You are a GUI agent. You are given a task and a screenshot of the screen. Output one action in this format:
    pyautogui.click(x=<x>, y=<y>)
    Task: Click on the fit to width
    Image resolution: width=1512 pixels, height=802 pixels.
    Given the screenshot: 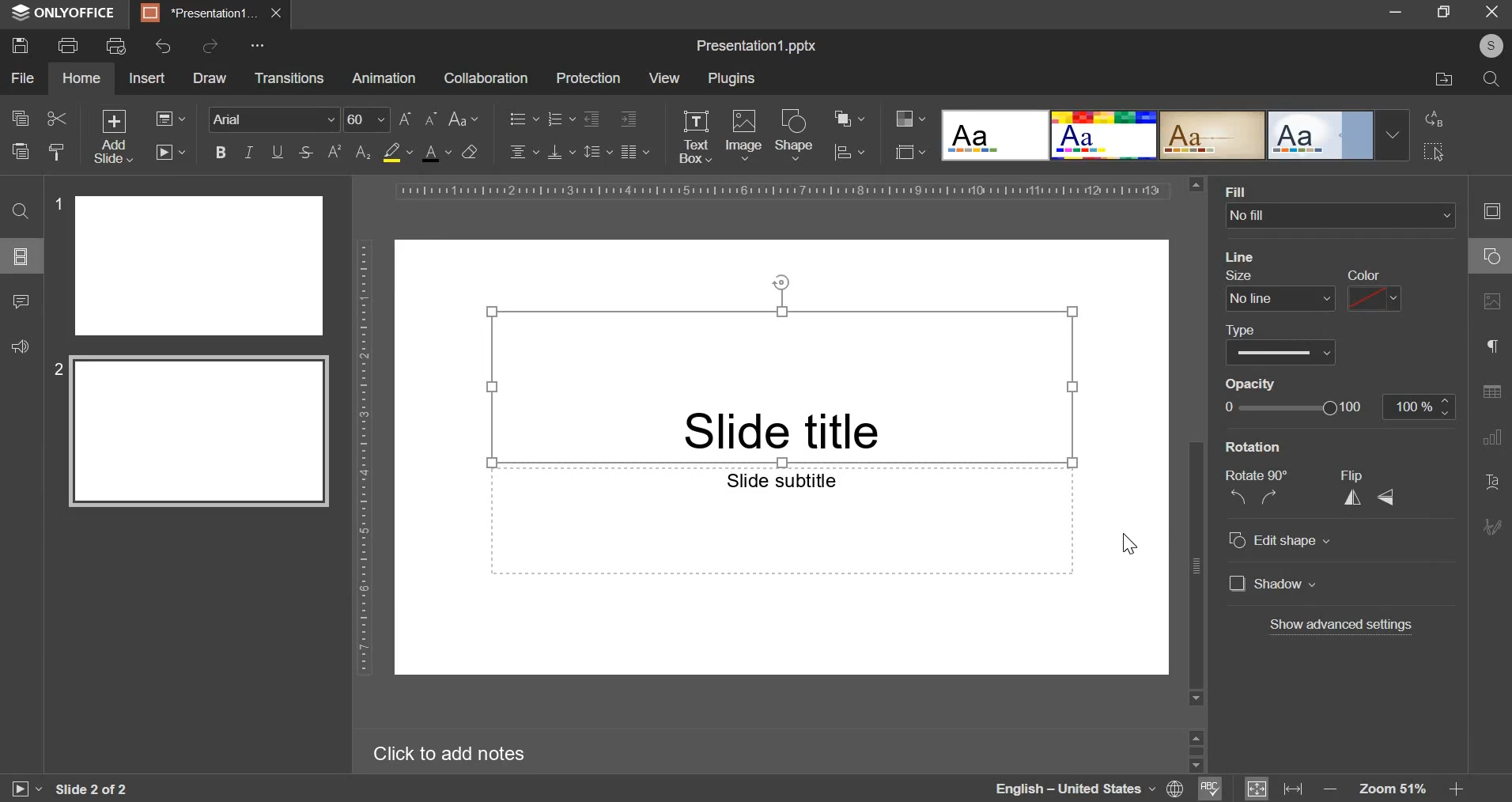 What is the action you would take?
    pyautogui.click(x=1295, y=788)
    